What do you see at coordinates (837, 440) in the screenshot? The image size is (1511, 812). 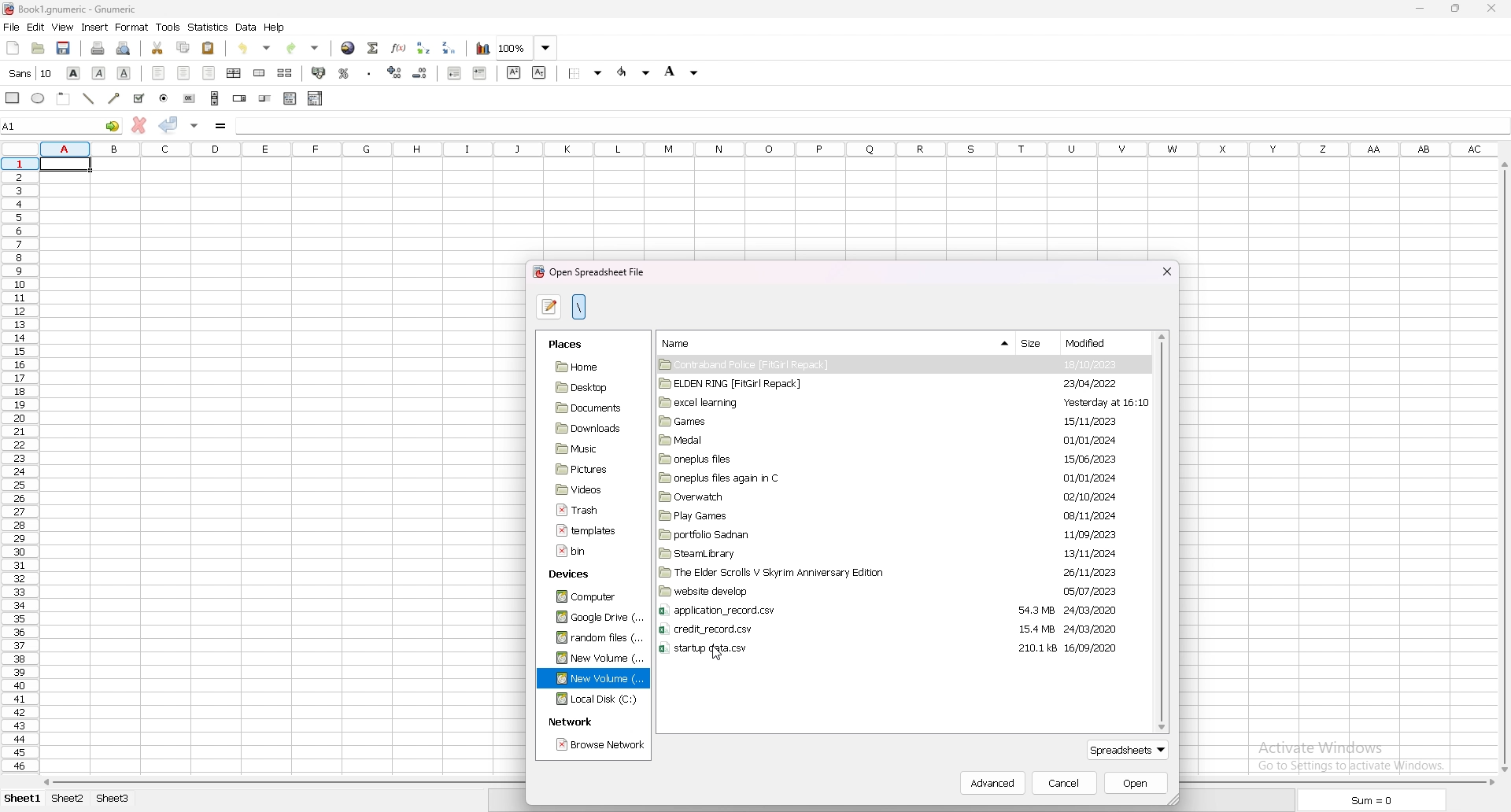 I see `folder` at bounding box center [837, 440].